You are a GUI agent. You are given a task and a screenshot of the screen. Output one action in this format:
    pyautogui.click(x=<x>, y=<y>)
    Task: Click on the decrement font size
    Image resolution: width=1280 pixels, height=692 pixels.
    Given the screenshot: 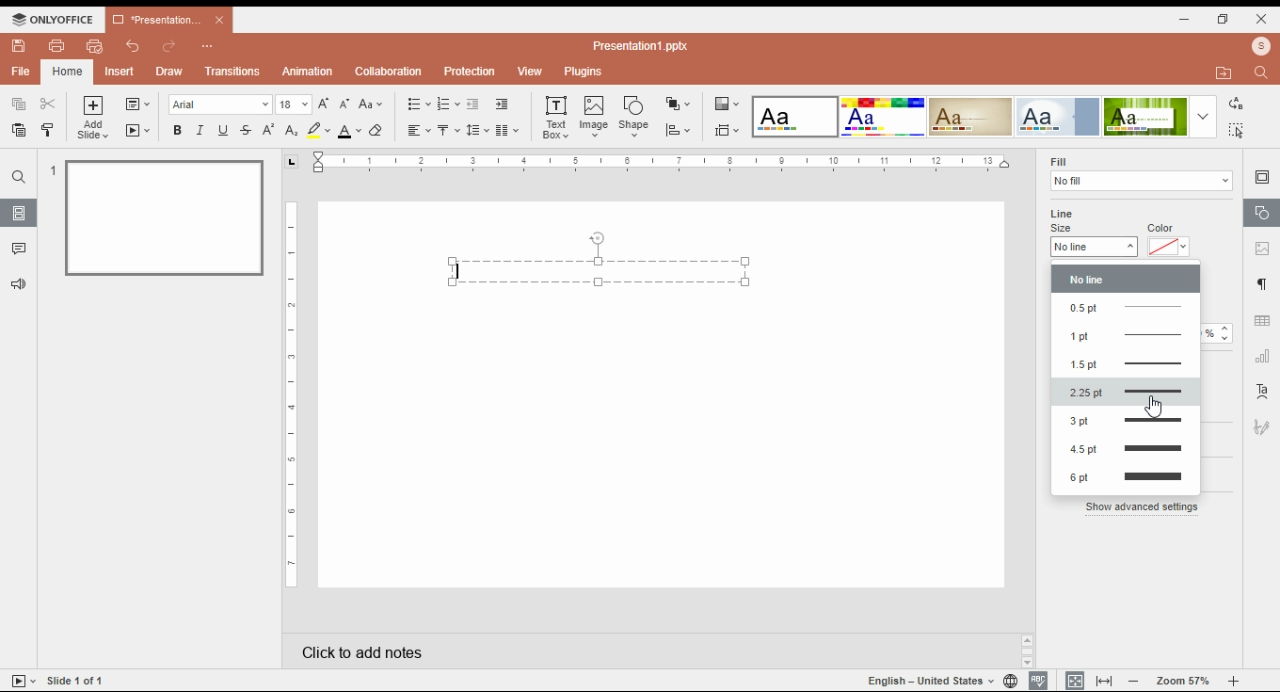 What is the action you would take?
    pyautogui.click(x=345, y=103)
    